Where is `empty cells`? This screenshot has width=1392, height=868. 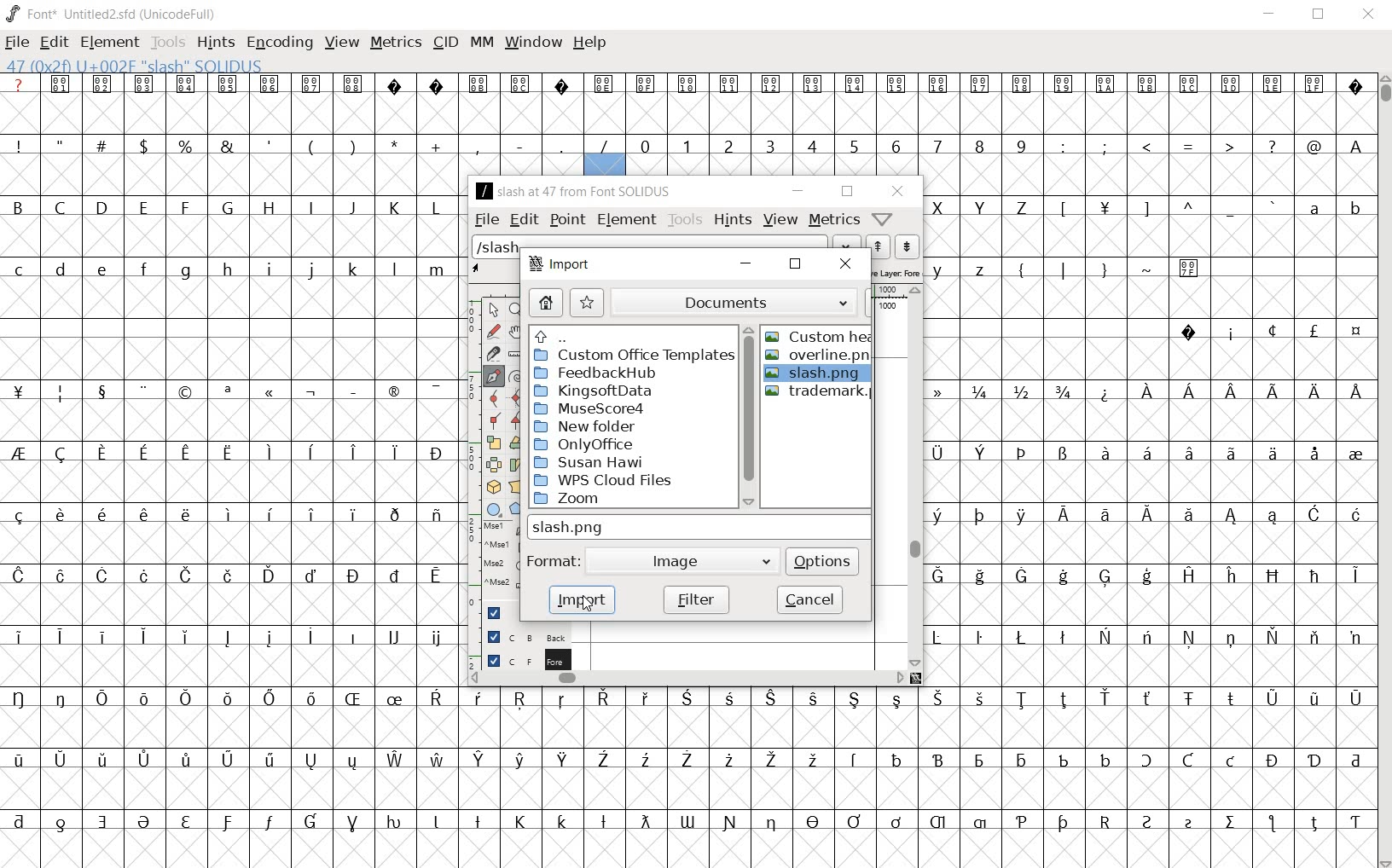
empty cells is located at coordinates (1151, 666).